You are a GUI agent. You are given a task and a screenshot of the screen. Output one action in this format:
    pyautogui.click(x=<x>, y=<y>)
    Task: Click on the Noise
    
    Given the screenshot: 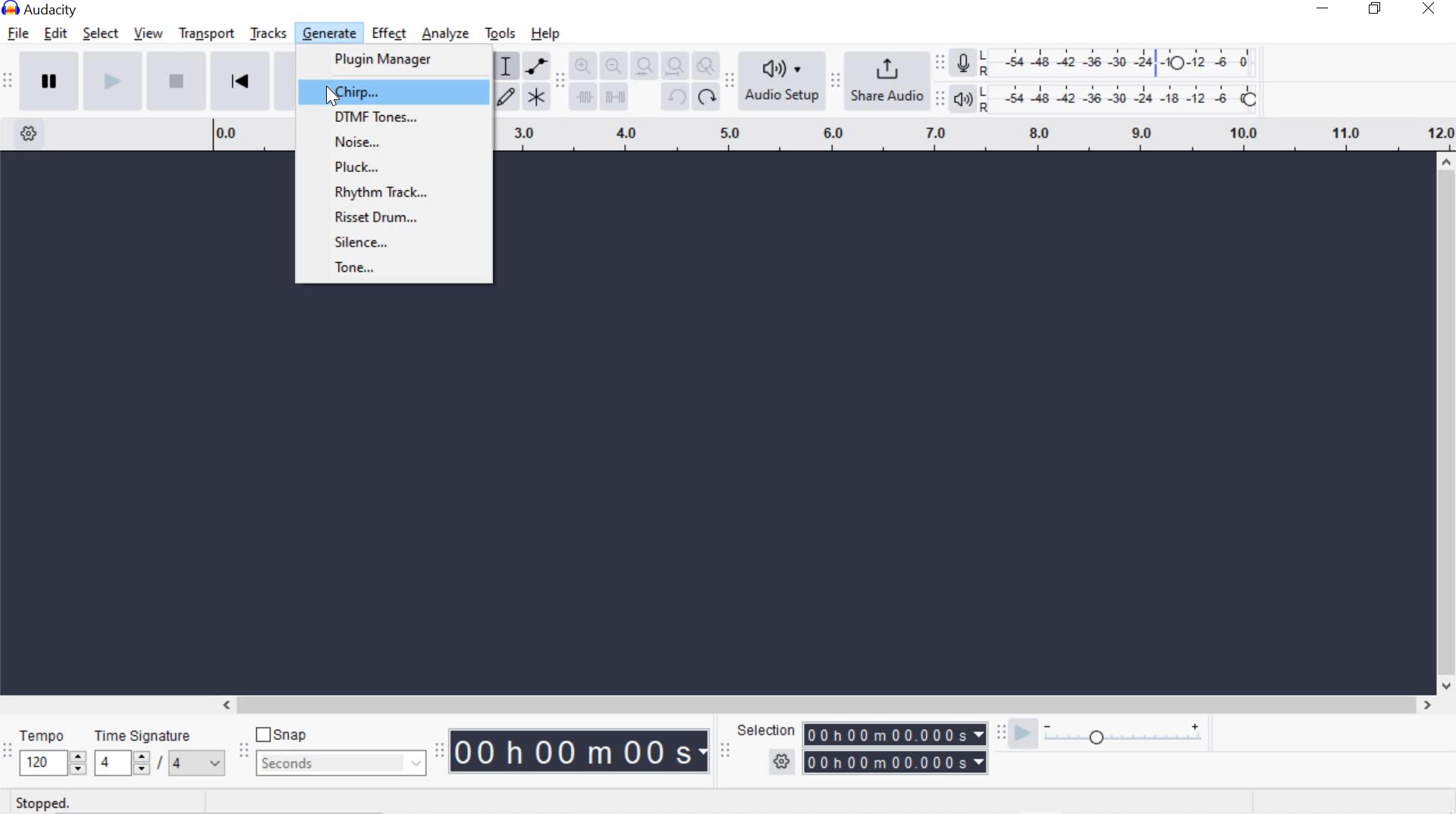 What is the action you would take?
    pyautogui.click(x=394, y=144)
    